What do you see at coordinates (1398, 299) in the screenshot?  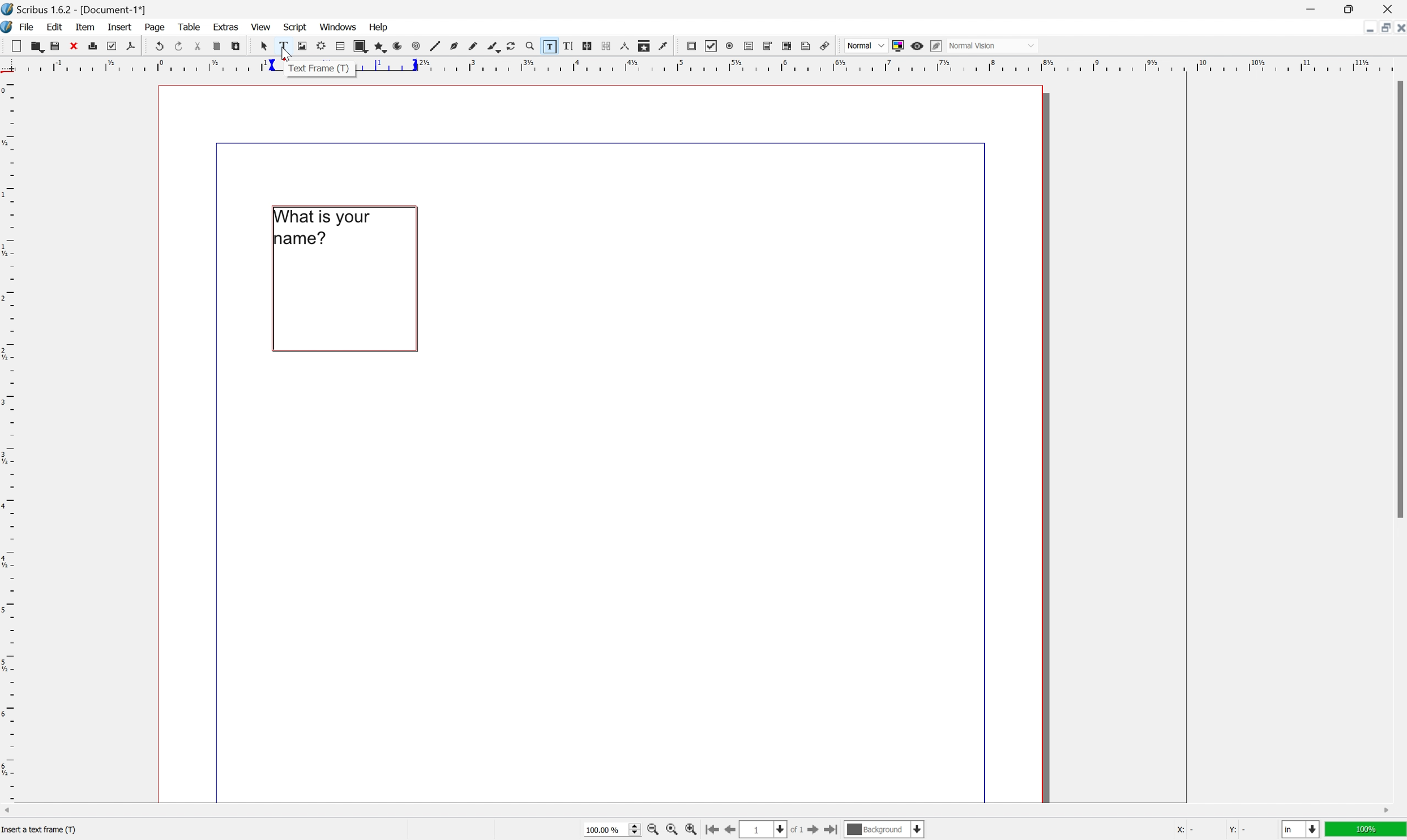 I see `scroll bar` at bounding box center [1398, 299].